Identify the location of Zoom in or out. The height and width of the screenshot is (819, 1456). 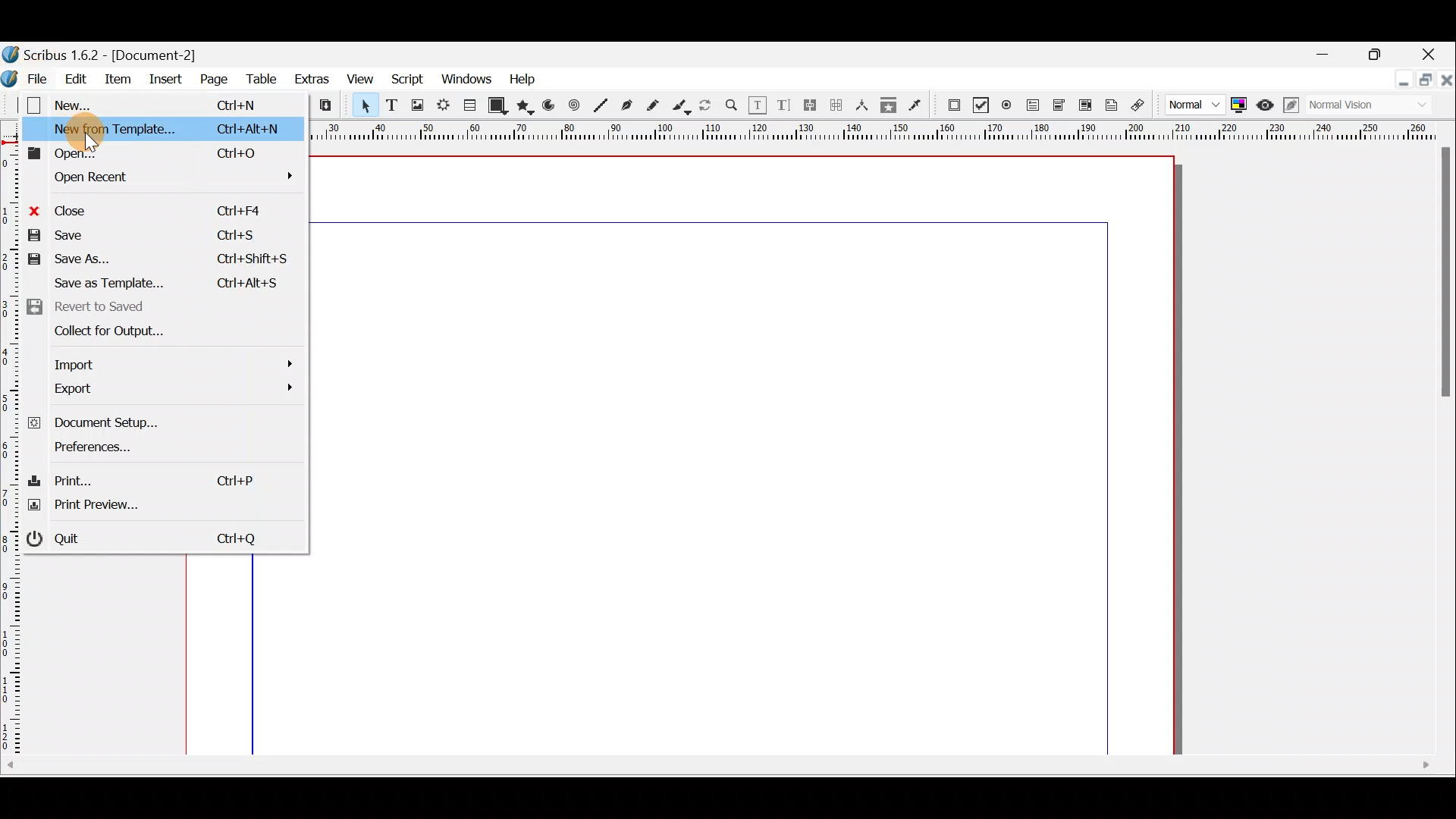
(733, 106).